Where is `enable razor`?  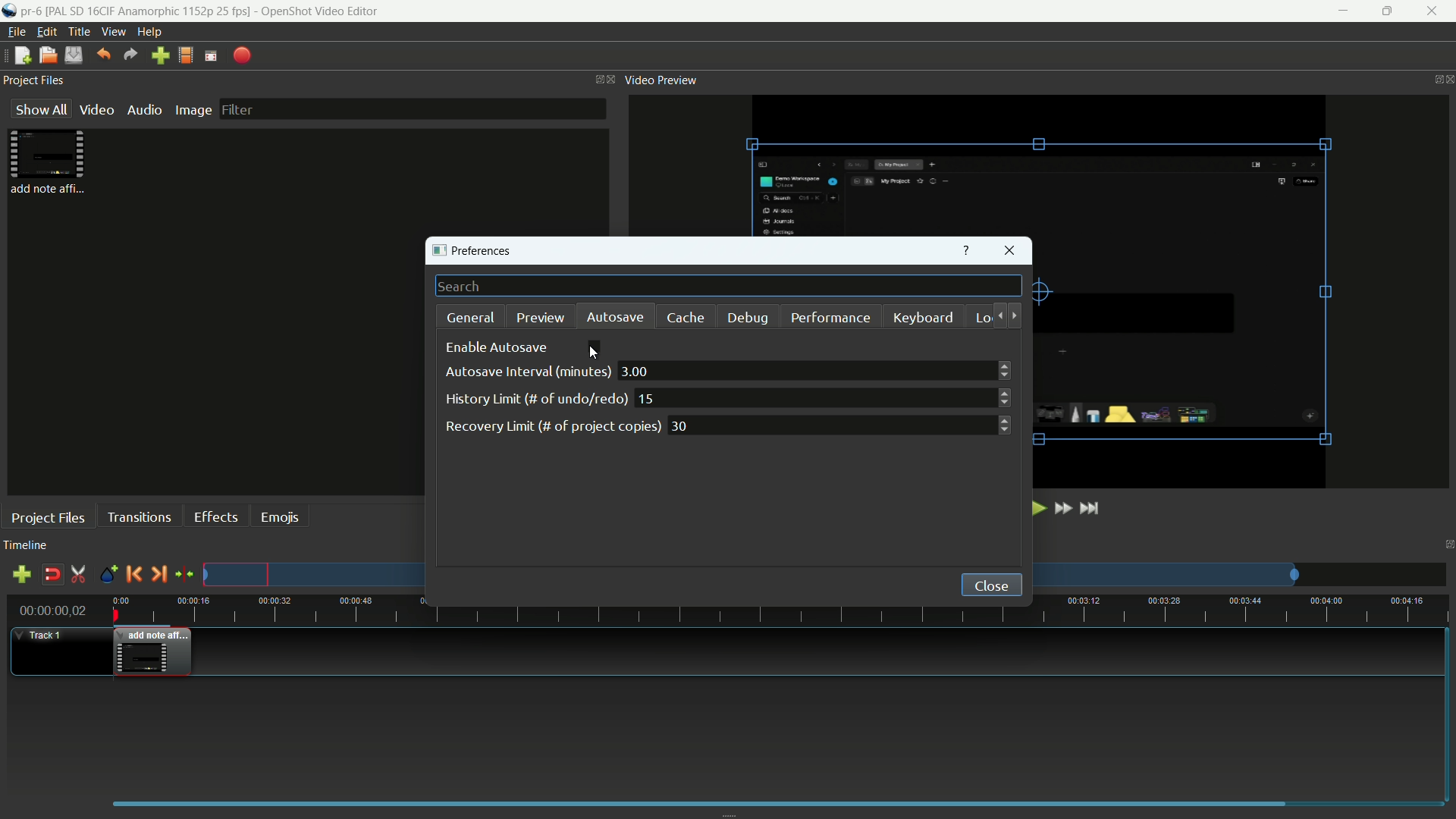
enable razor is located at coordinates (77, 574).